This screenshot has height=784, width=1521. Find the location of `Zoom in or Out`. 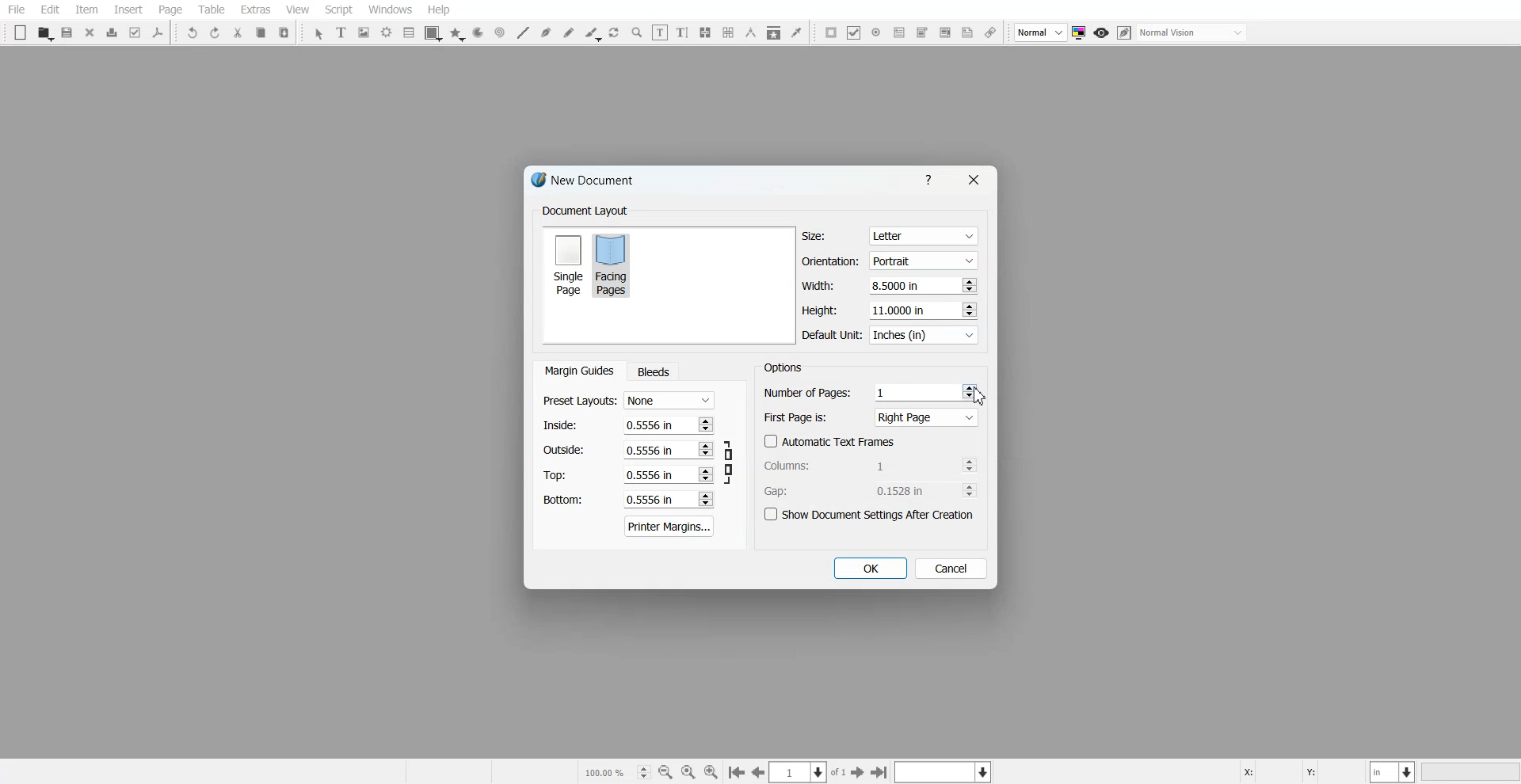

Zoom in or Out is located at coordinates (637, 32).